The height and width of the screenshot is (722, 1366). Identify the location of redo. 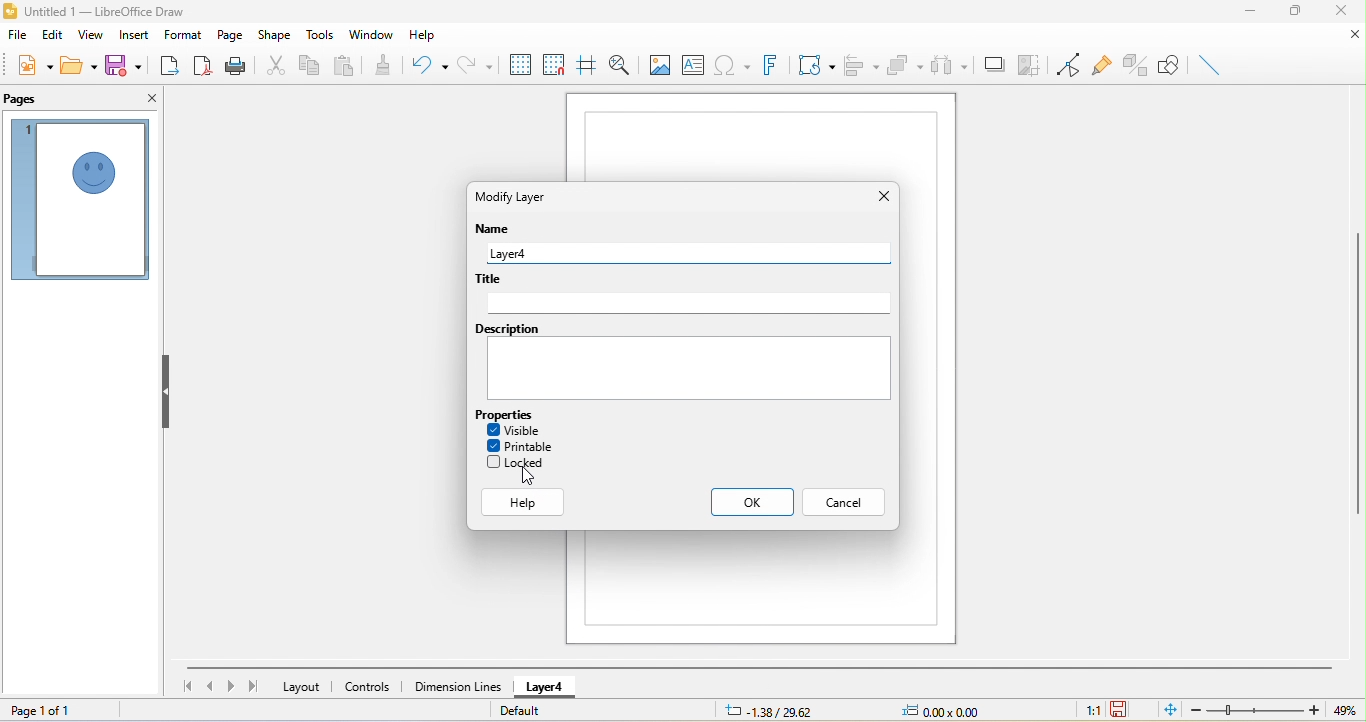
(479, 63).